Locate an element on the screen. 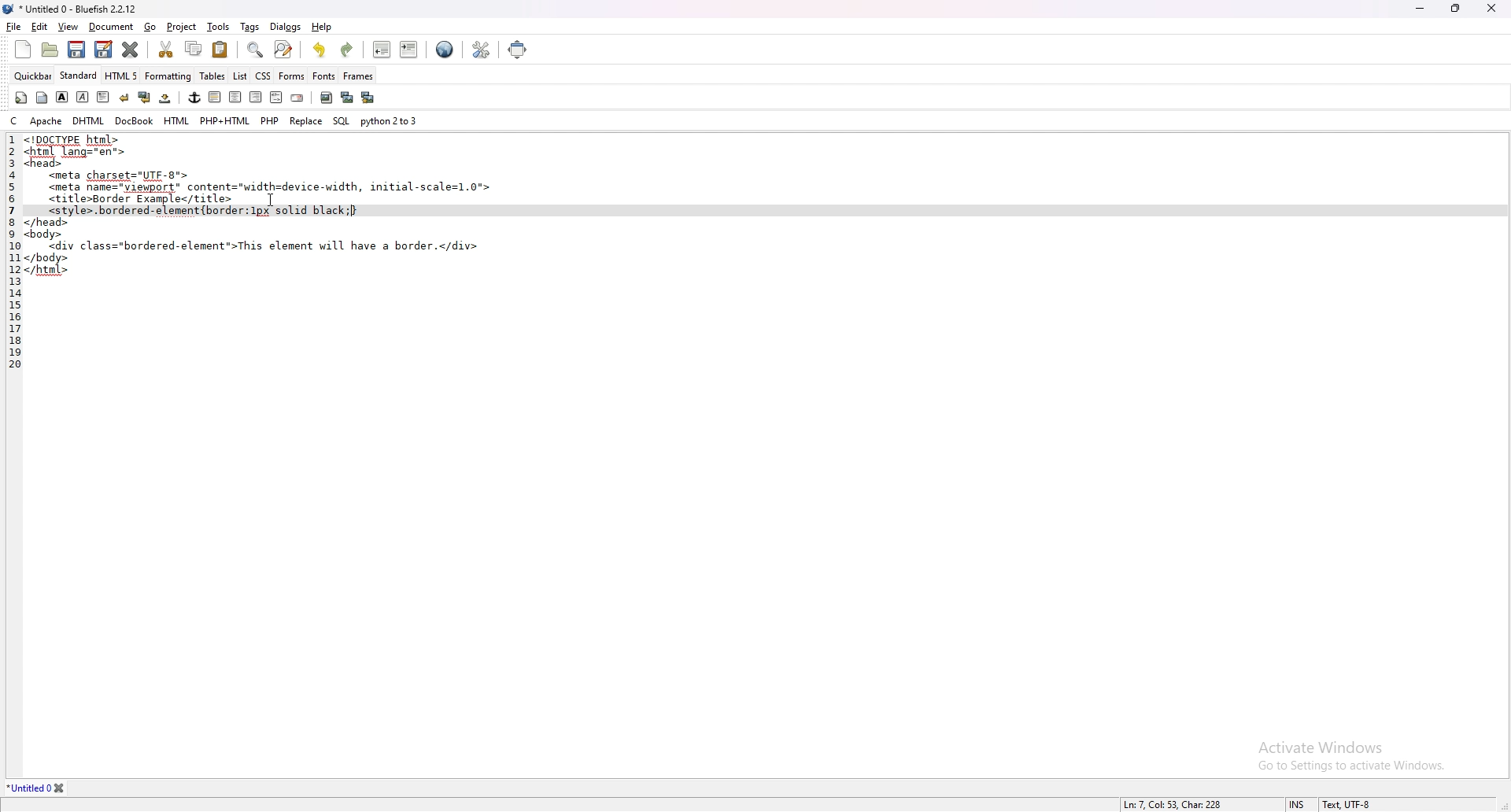 The width and height of the screenshot is (1511, 812). php is located at coordinates (269, 119).